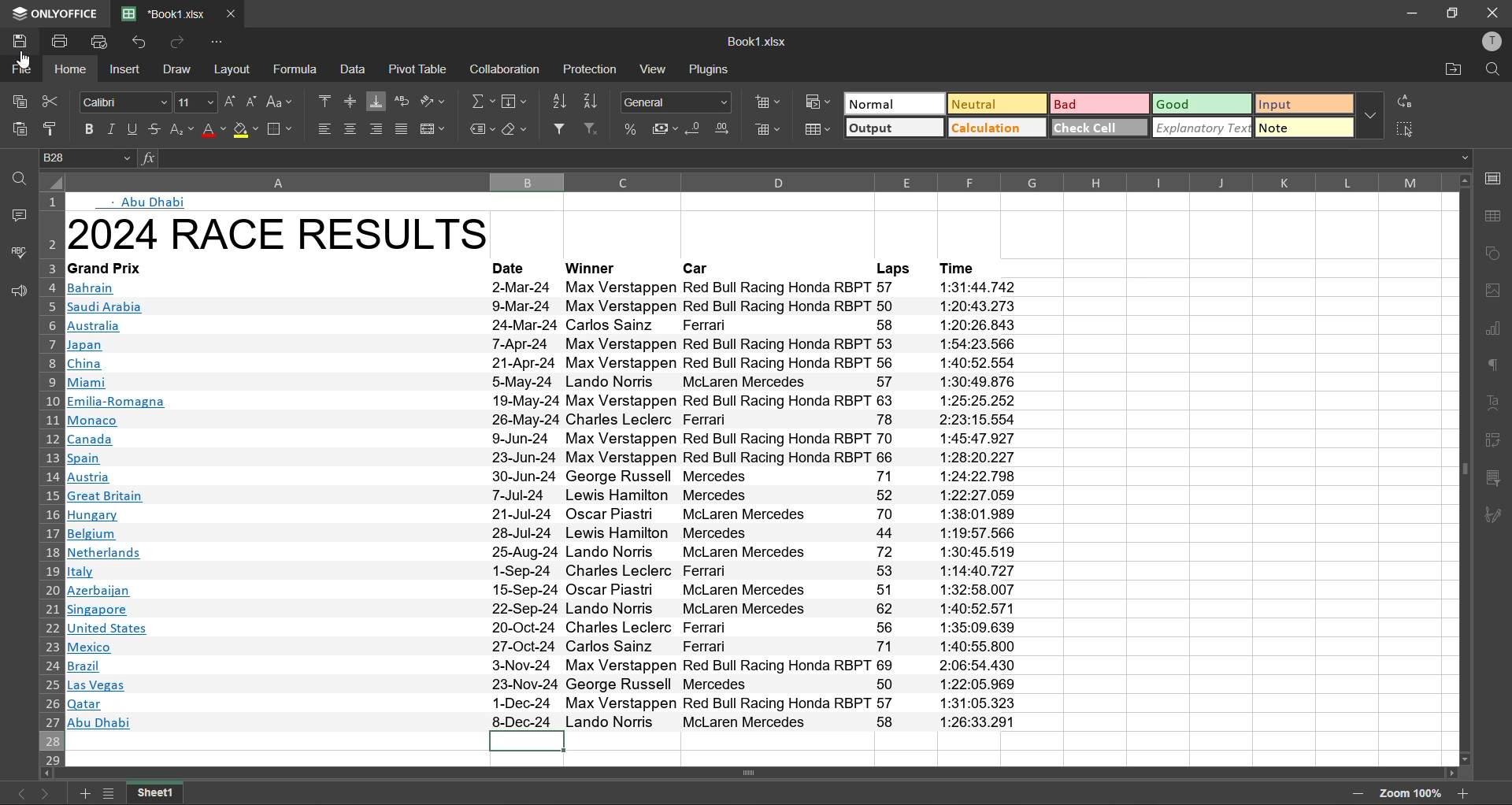 The width and height of the screenshot is (1512, 805). Describe the element at coordinates (766, 102) in the screenshot. I see `insert cells` at that location.